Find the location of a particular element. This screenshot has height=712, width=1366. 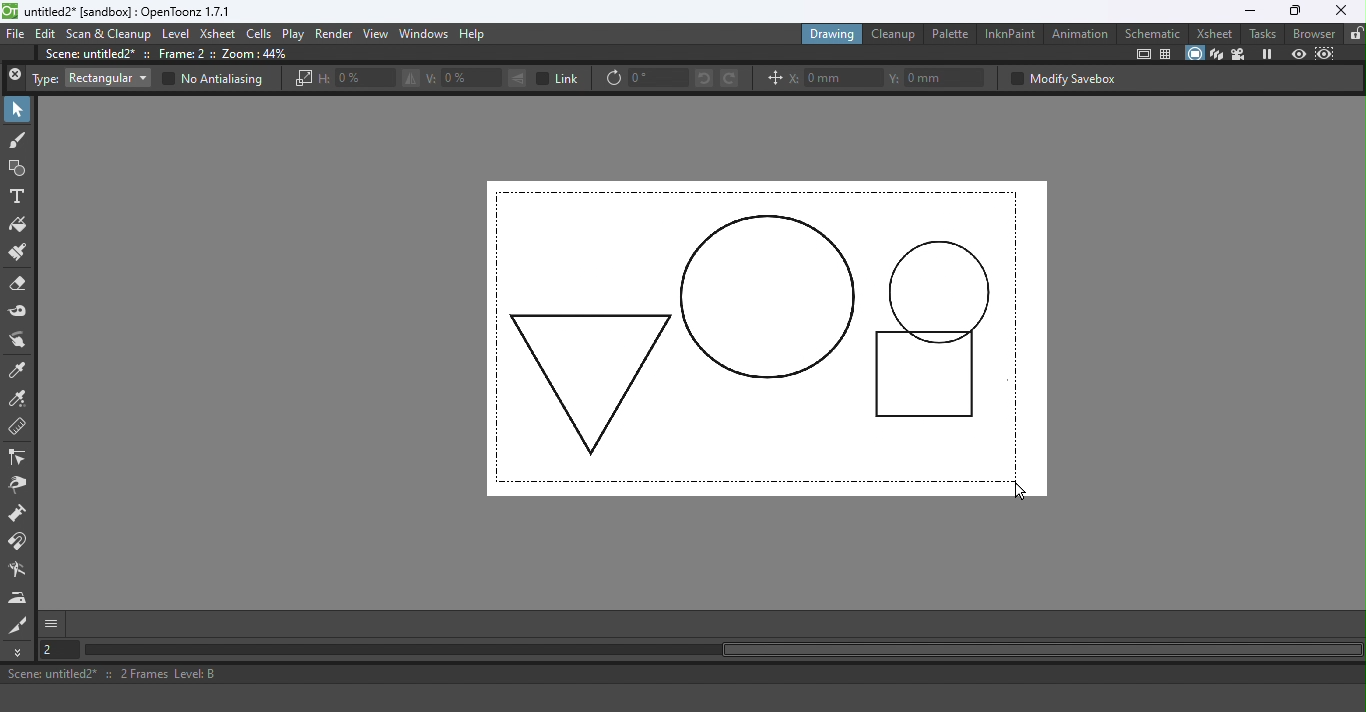

Minimize is located at coordinates (1243, 11).